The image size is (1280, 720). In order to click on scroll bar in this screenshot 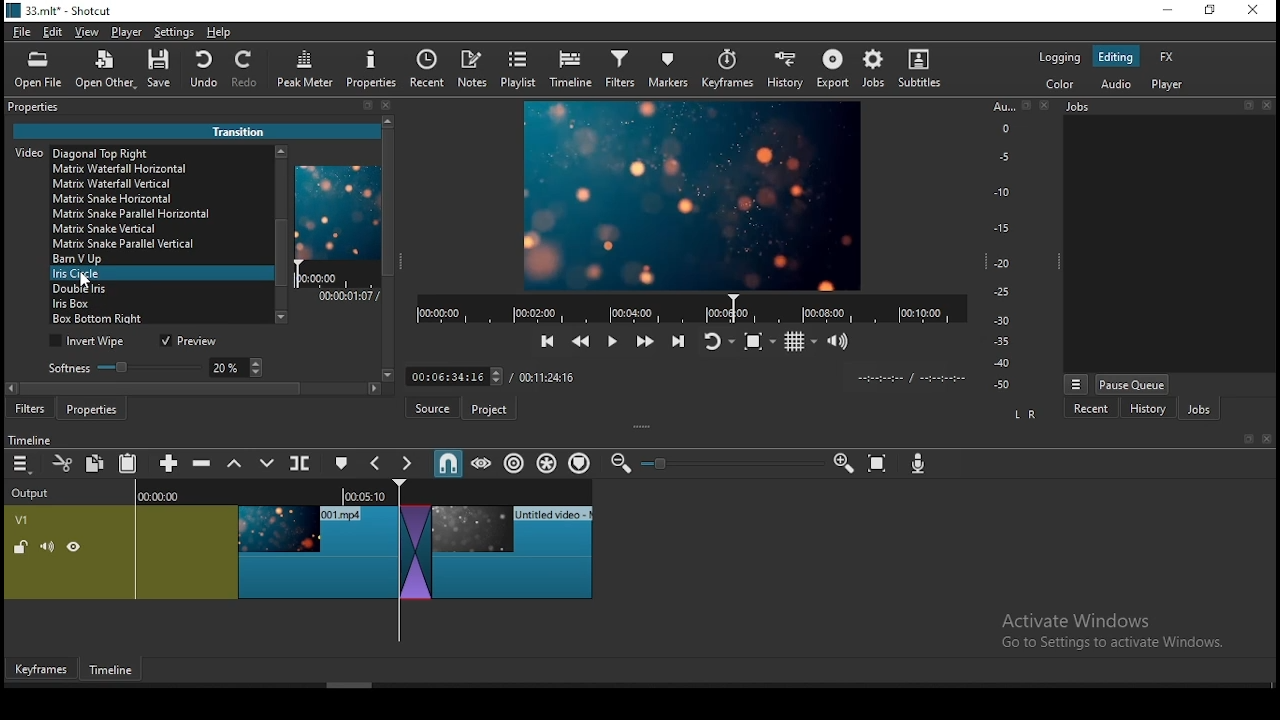, I will do `click(388, 255)`.